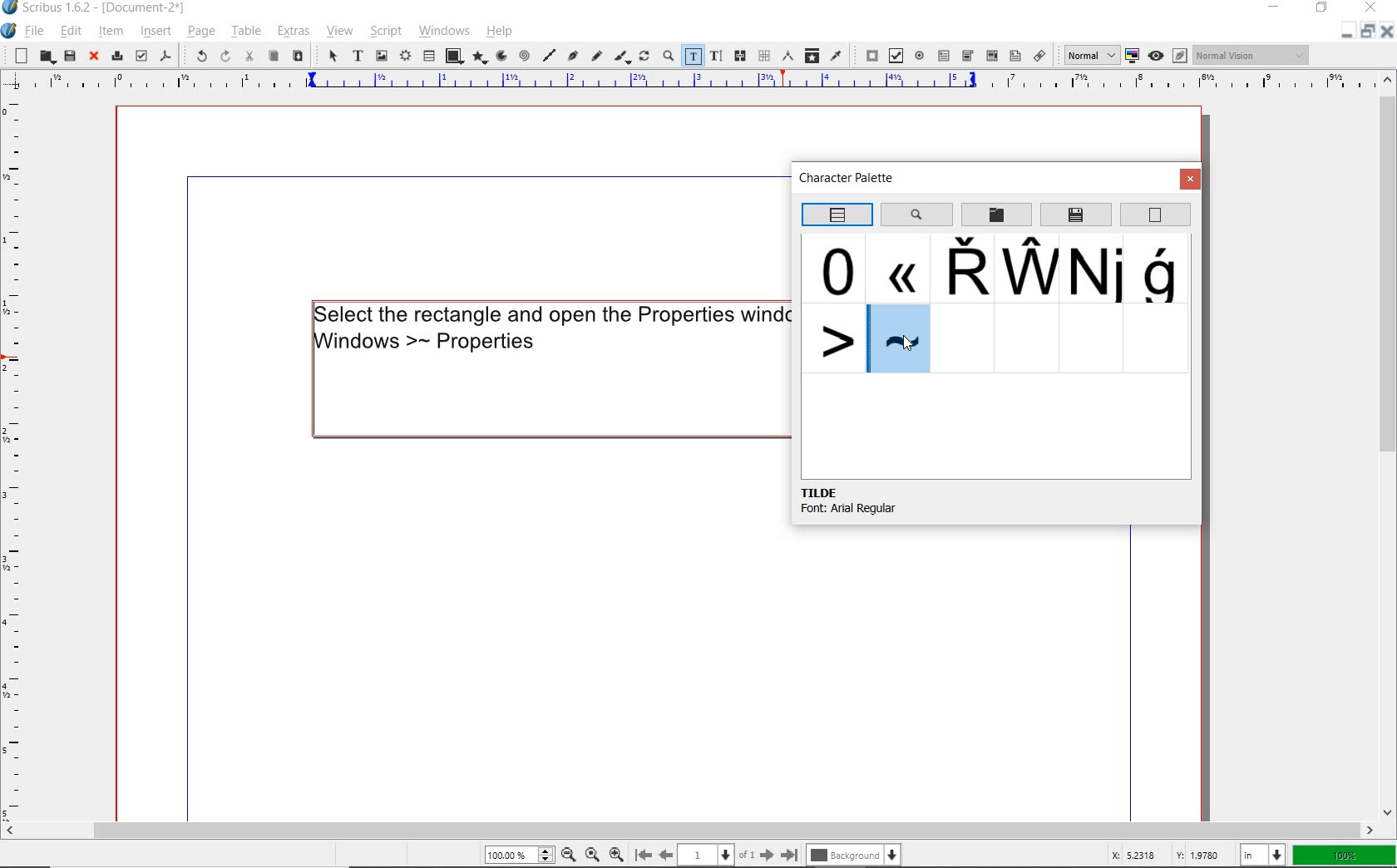  I want to click on link text frames, so click(742, 57).